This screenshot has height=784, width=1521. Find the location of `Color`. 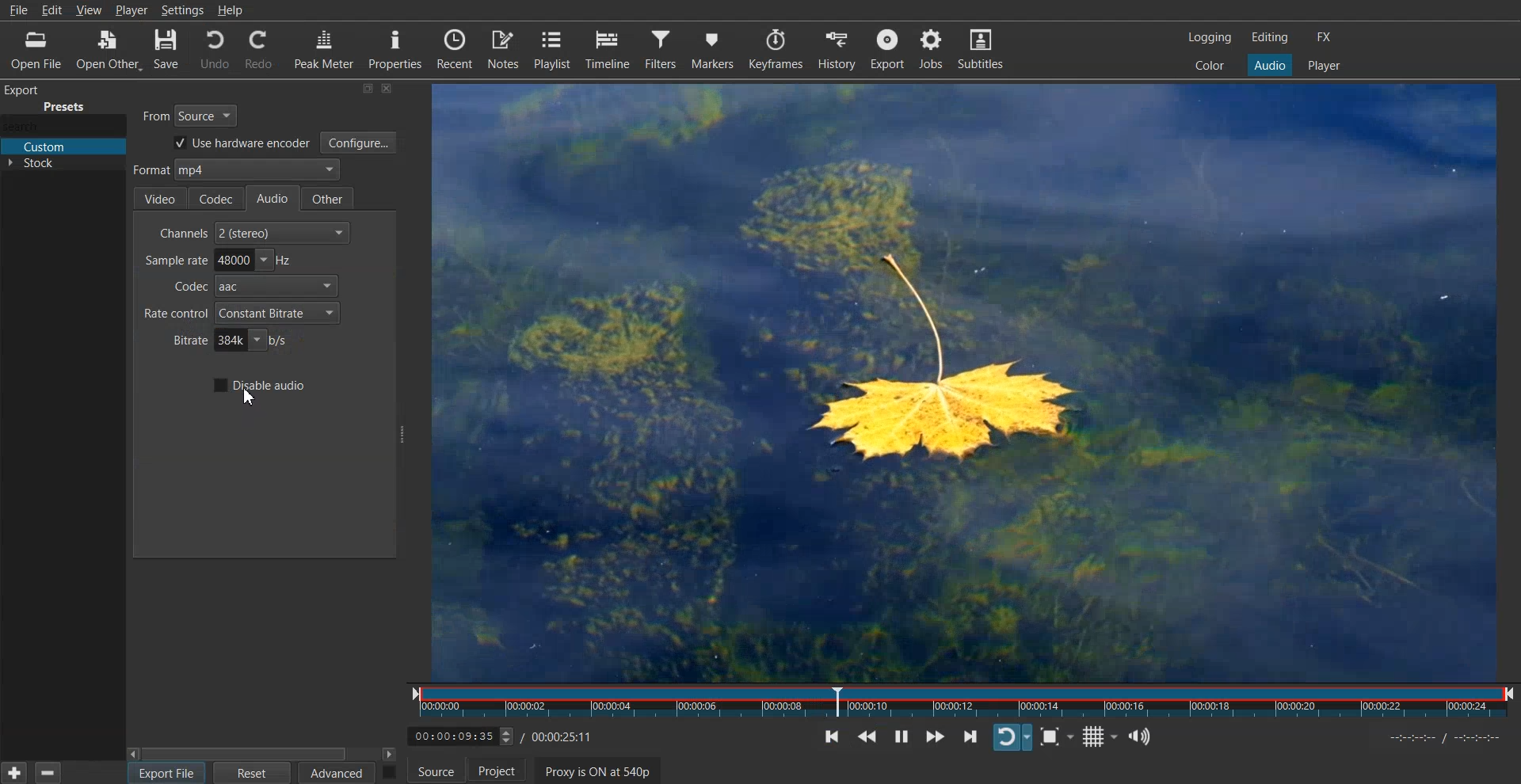

Color is located at coordinates (1210, 64).